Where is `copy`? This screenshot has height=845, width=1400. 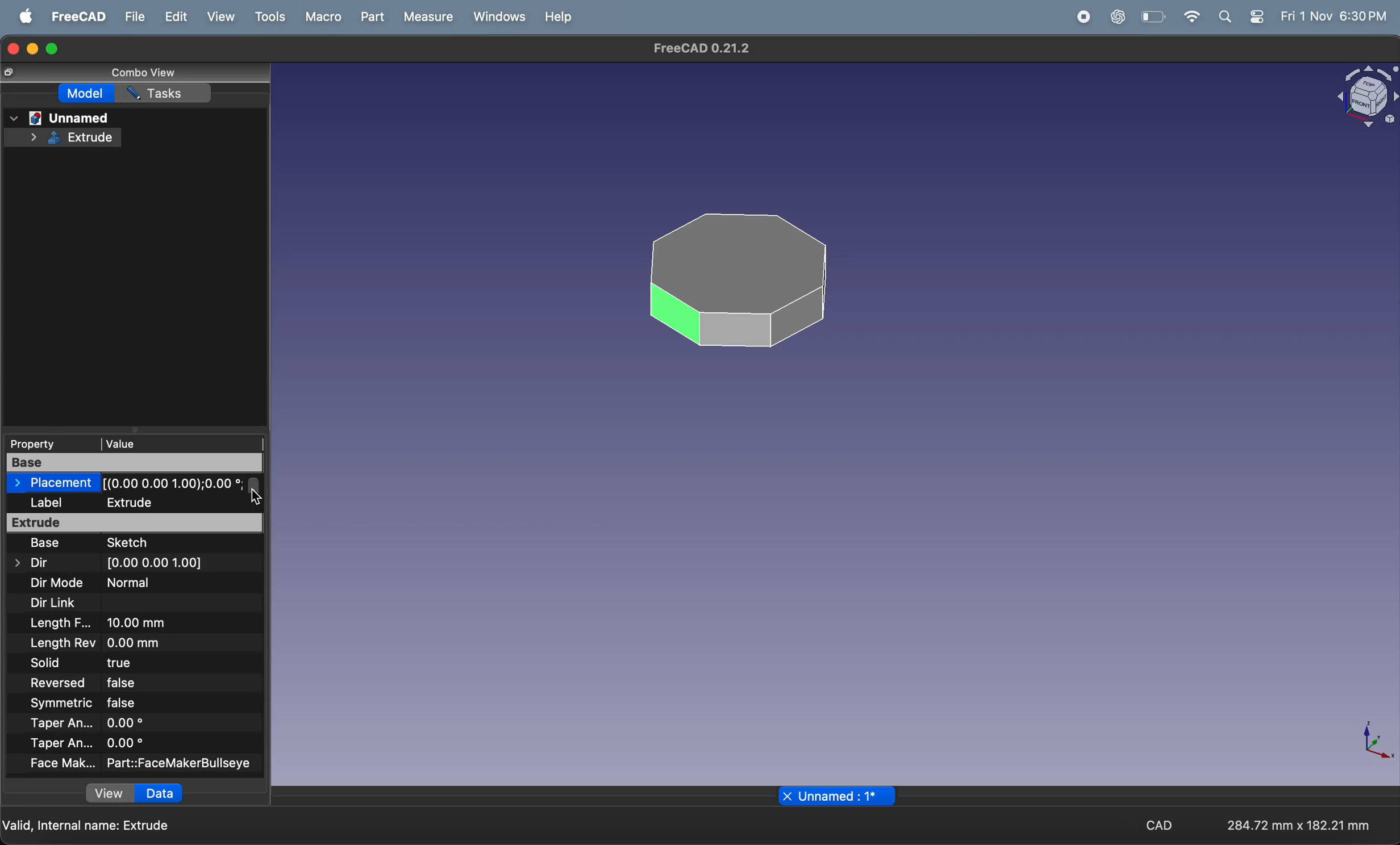
copy is located at coordinates (10, 73).